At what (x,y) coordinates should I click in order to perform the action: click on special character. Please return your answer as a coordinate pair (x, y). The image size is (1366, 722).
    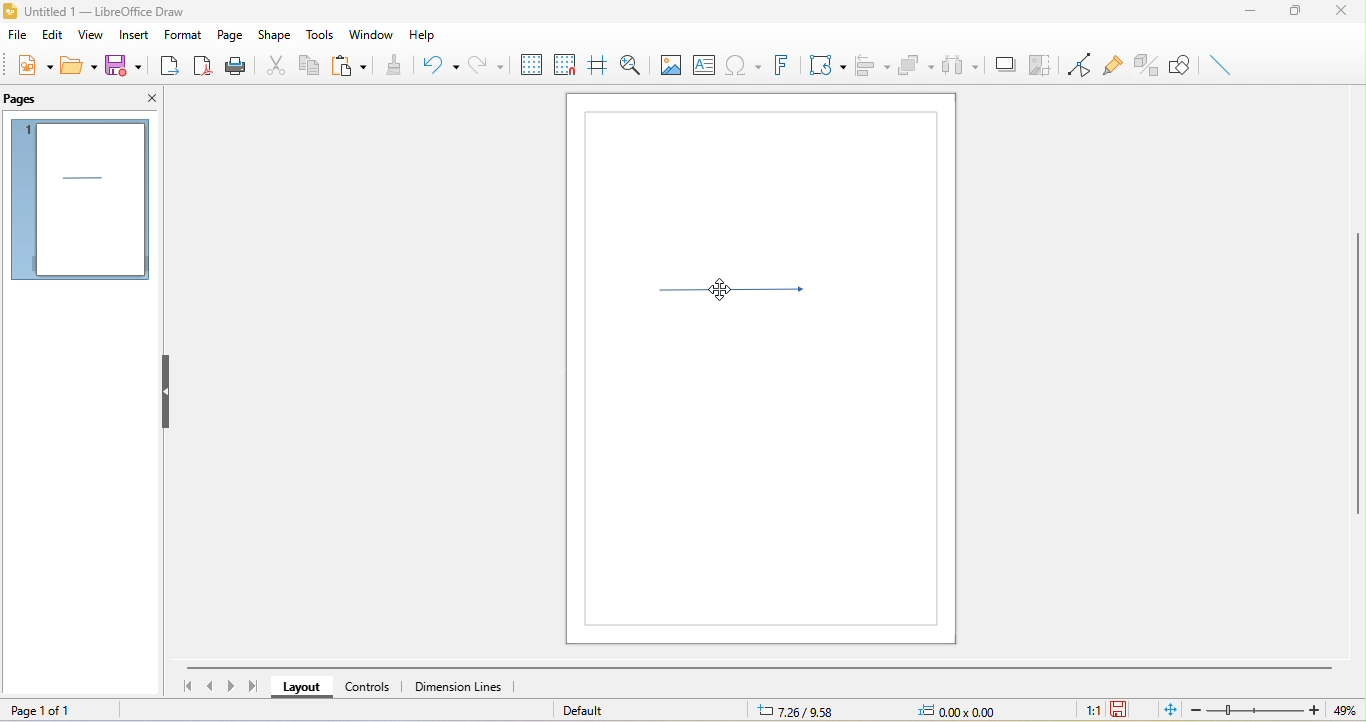
    Looking at the image, I should click on (742, 64).